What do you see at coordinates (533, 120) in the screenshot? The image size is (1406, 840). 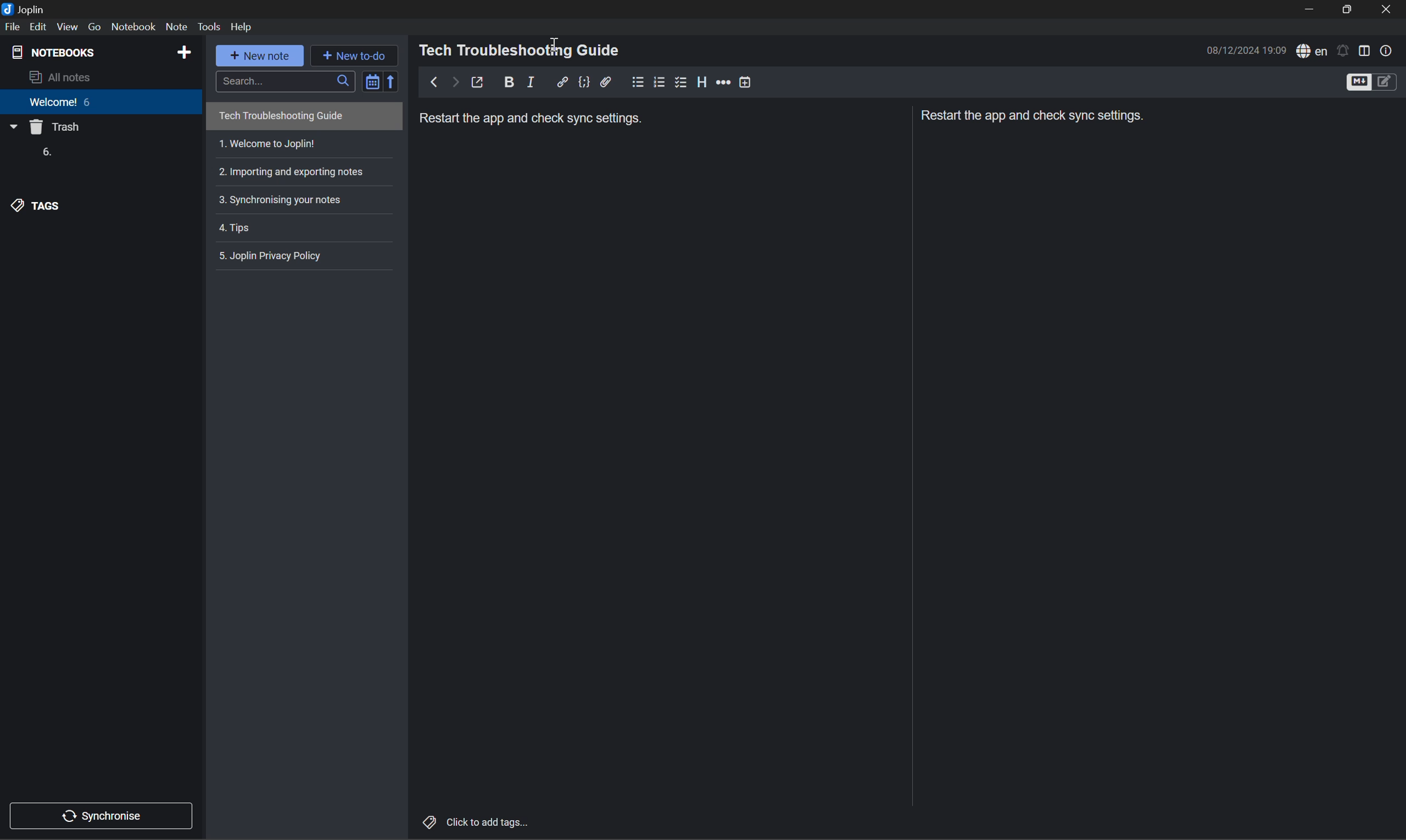 I see `Restart the app and check sync settings.` at bounding box center [533, 120].